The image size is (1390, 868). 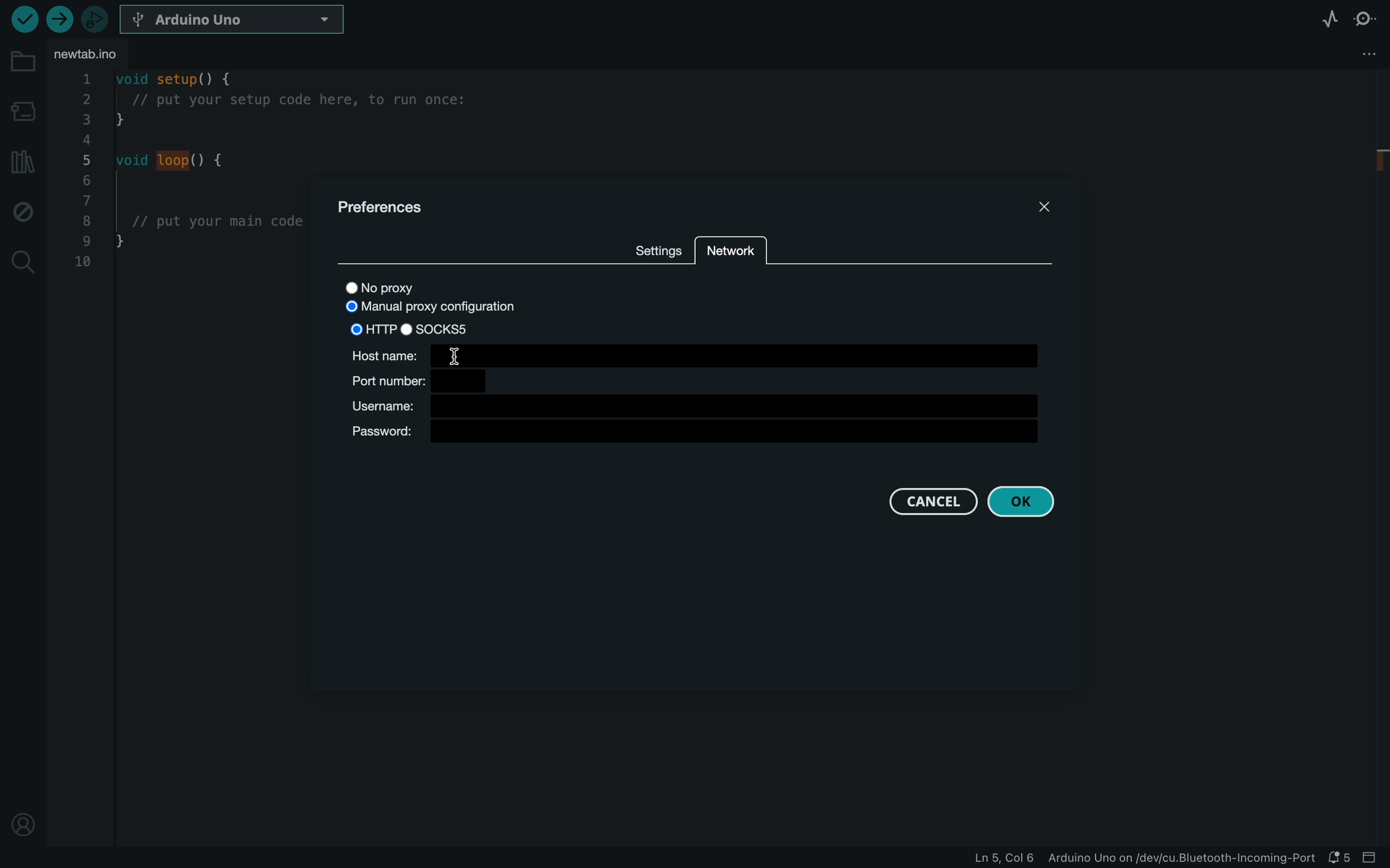 What do you see at coordinates (656, 249) in the screenshot?
I see `SETTINGS` at bounding box center [656, 249].